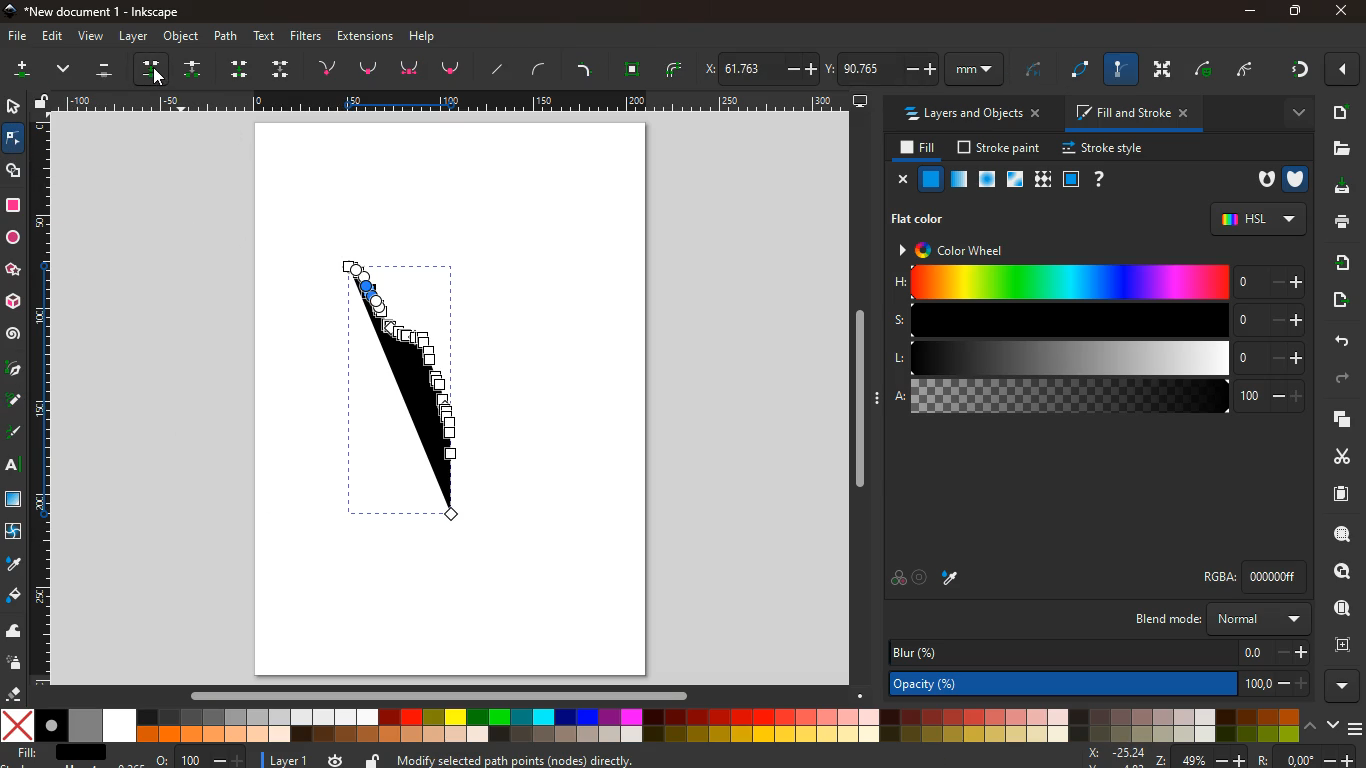 The image size is (1366, 768). I want to click on l, so click(1094, 358).